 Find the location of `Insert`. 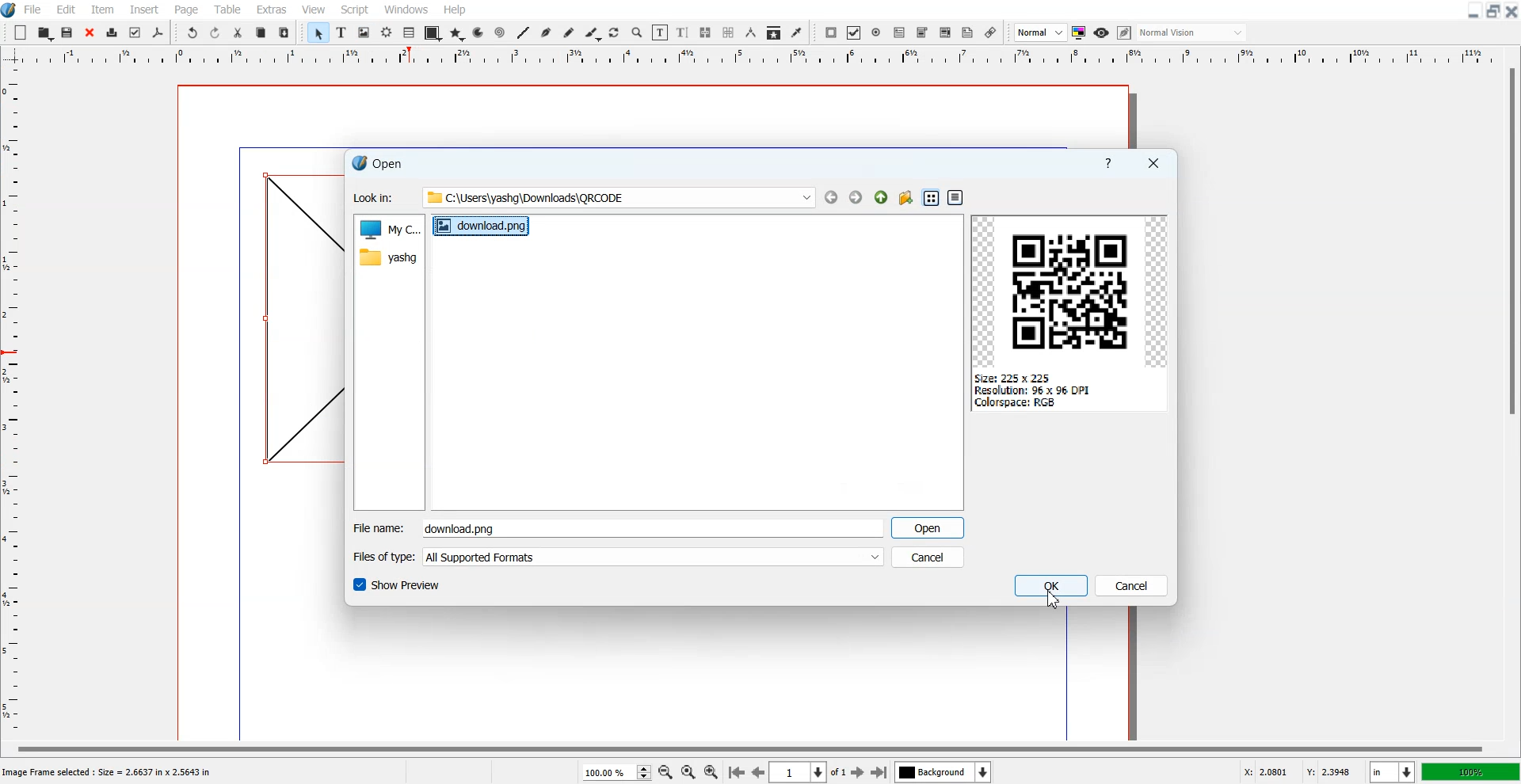

Insert is located at coordinates (143, 9).